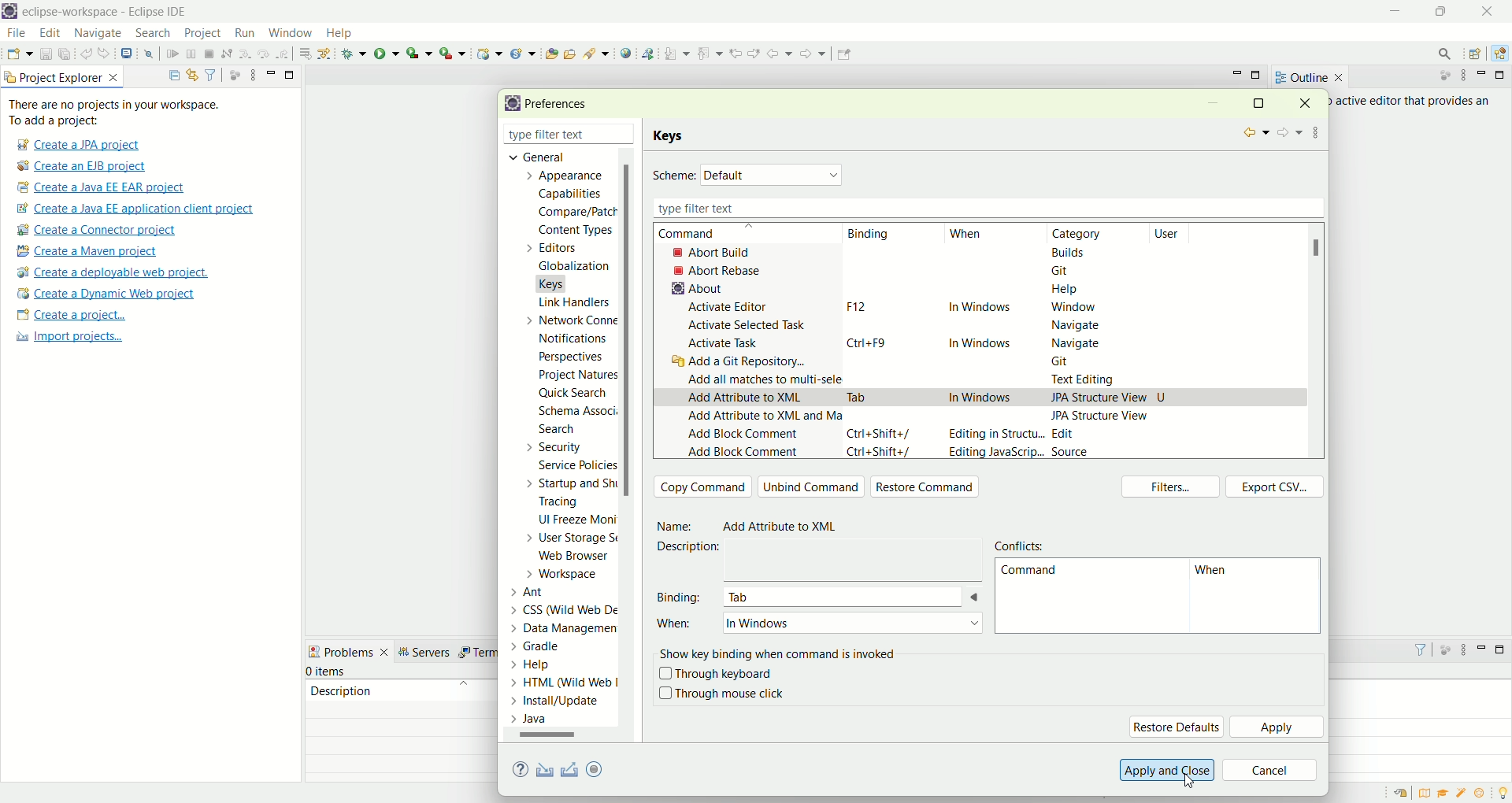 This screenshot has height=803, width=1512. What do you see at coordinates (523, 771) in the screenshot?
I see `help` at bounding box center [523, 771].